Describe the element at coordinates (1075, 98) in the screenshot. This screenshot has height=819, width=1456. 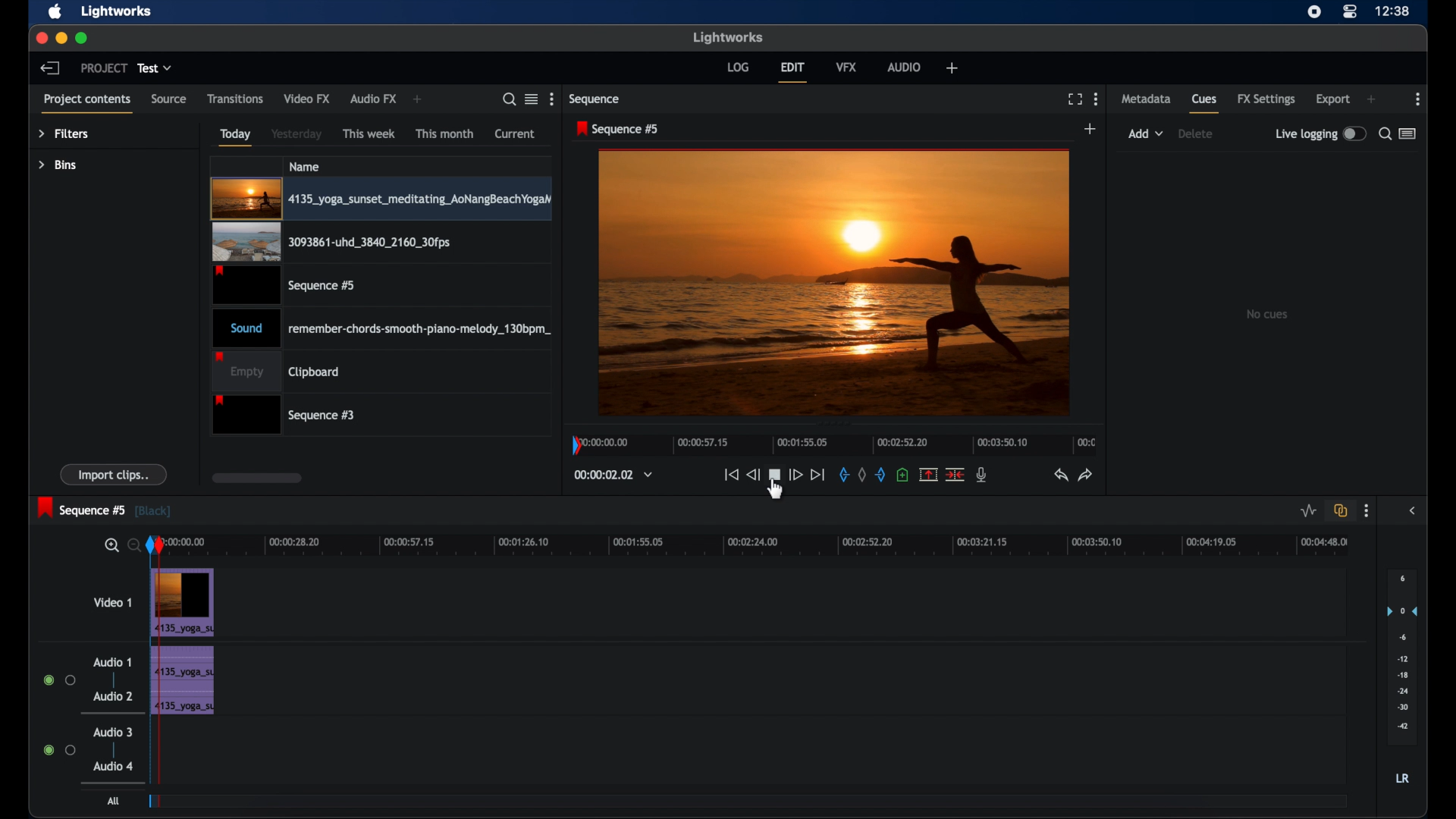
I see `full screen` at that location.